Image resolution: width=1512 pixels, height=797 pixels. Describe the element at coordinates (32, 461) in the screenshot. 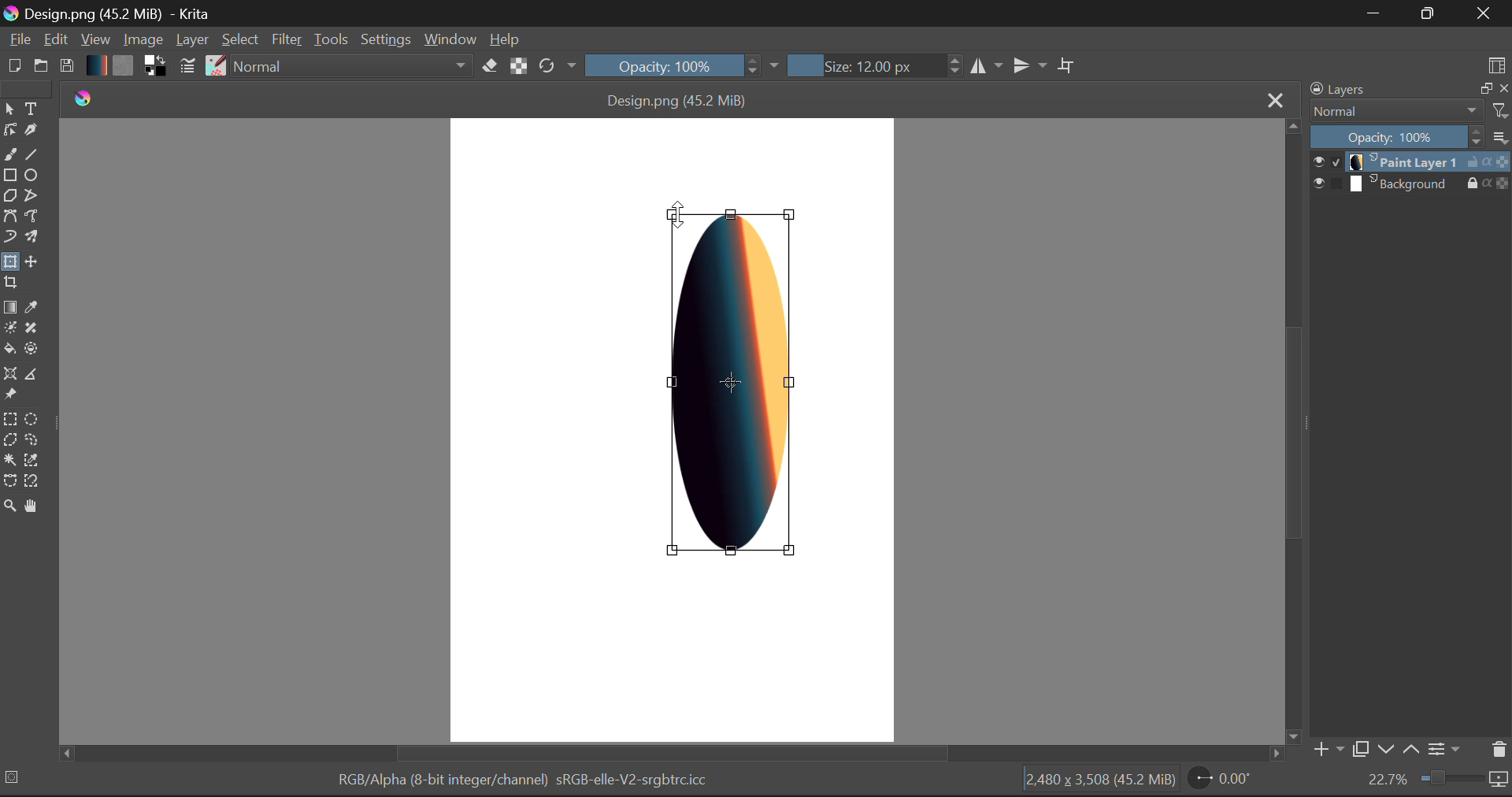

I see `Similar color Selector` at that location.